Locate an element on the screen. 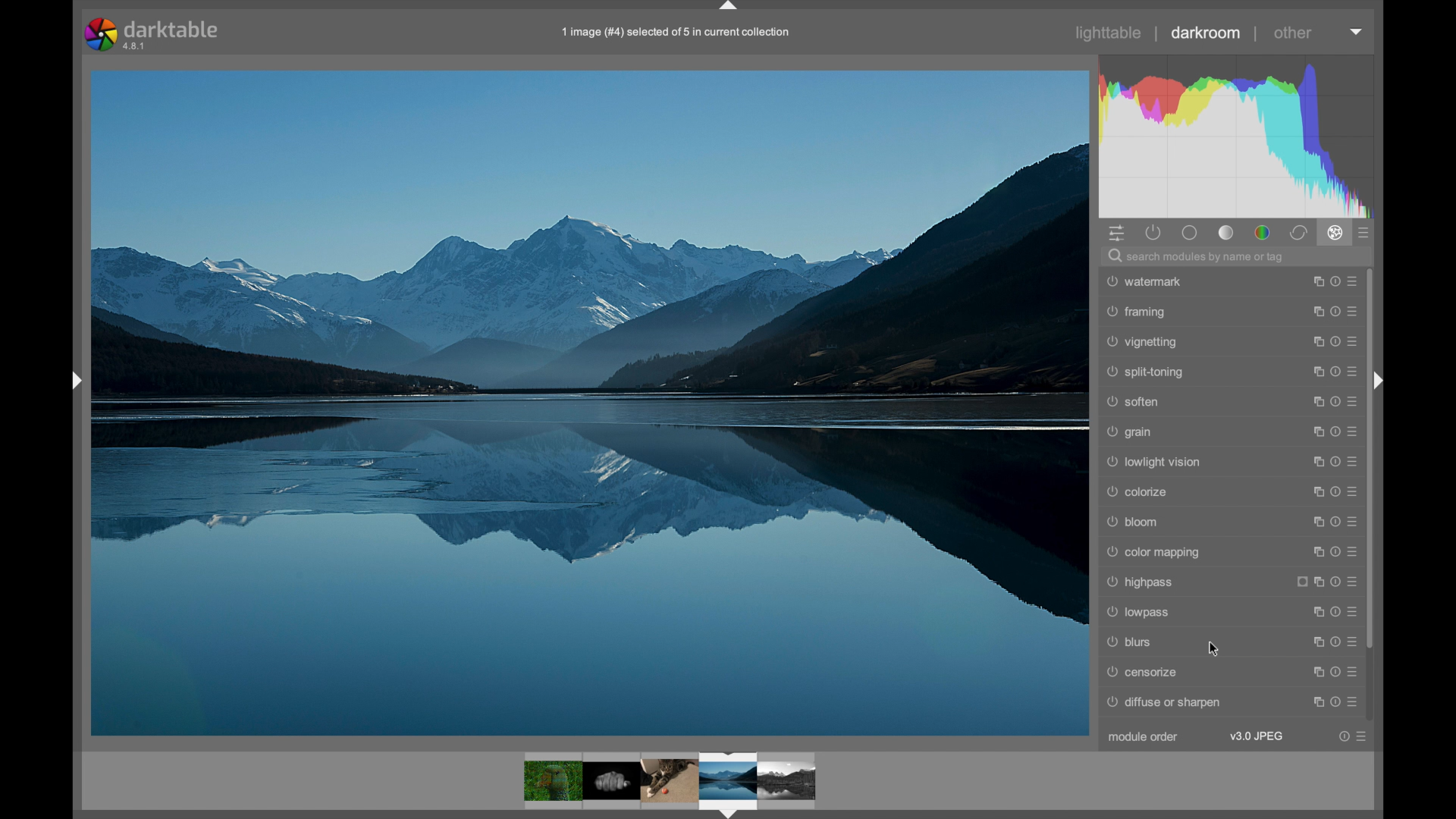  grain is located at coordinates (1130, 432).